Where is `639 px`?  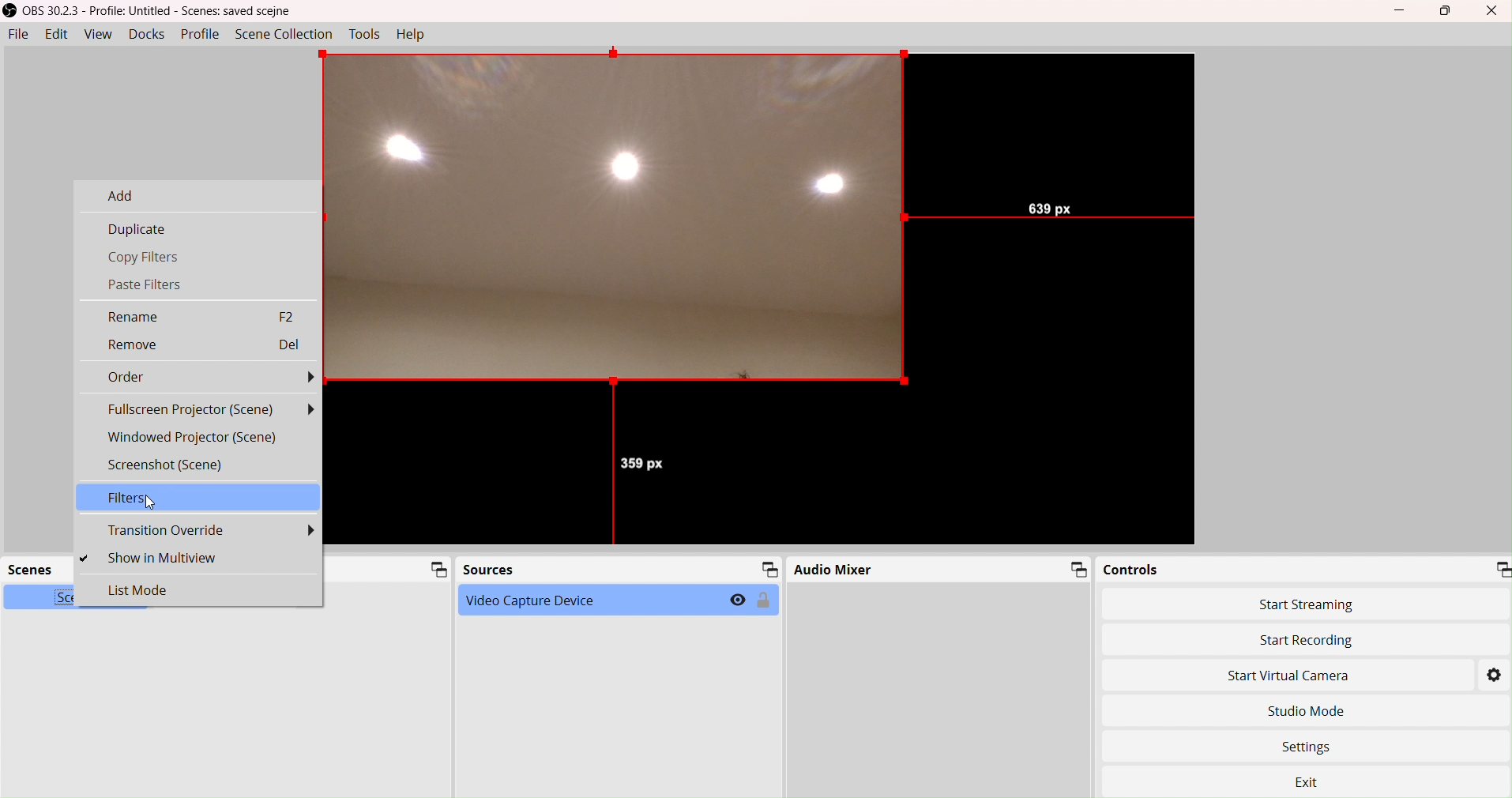
639 px is located at coordinates (1048, 212).